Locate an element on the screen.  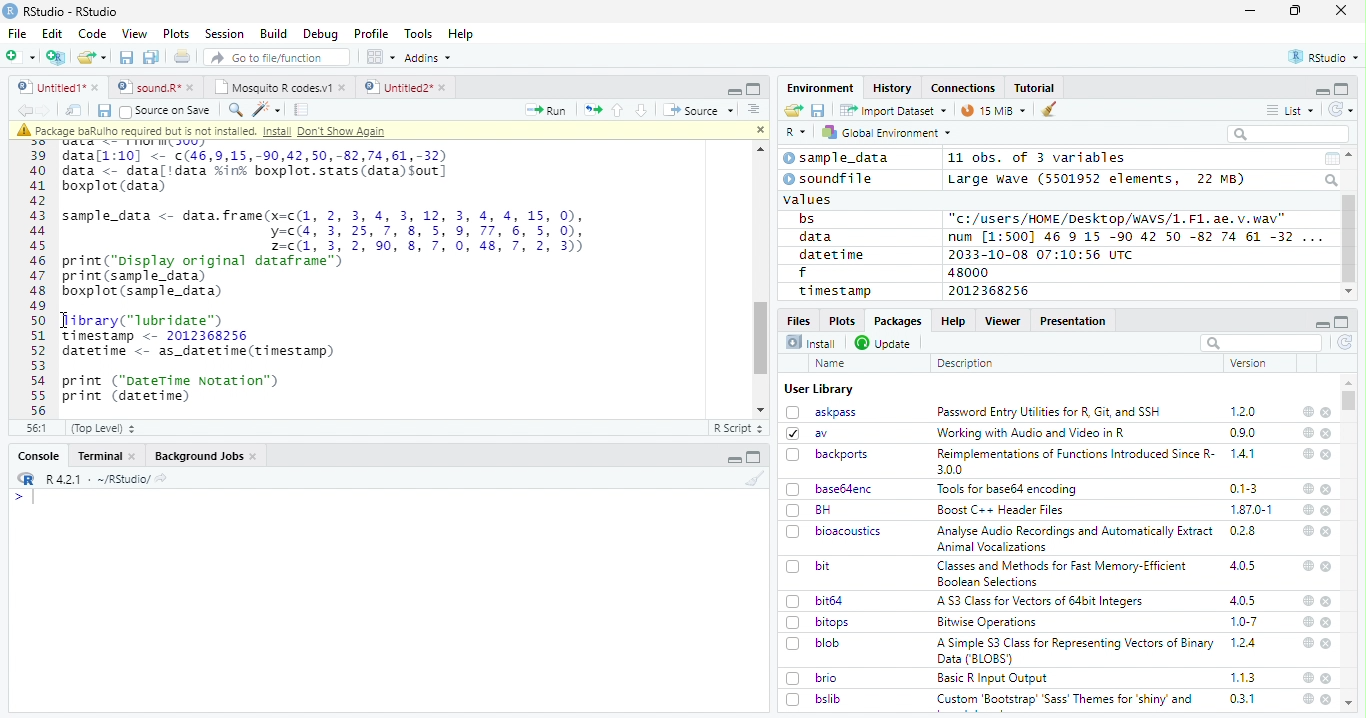
Calendar is located at coordinates (1331, 159).